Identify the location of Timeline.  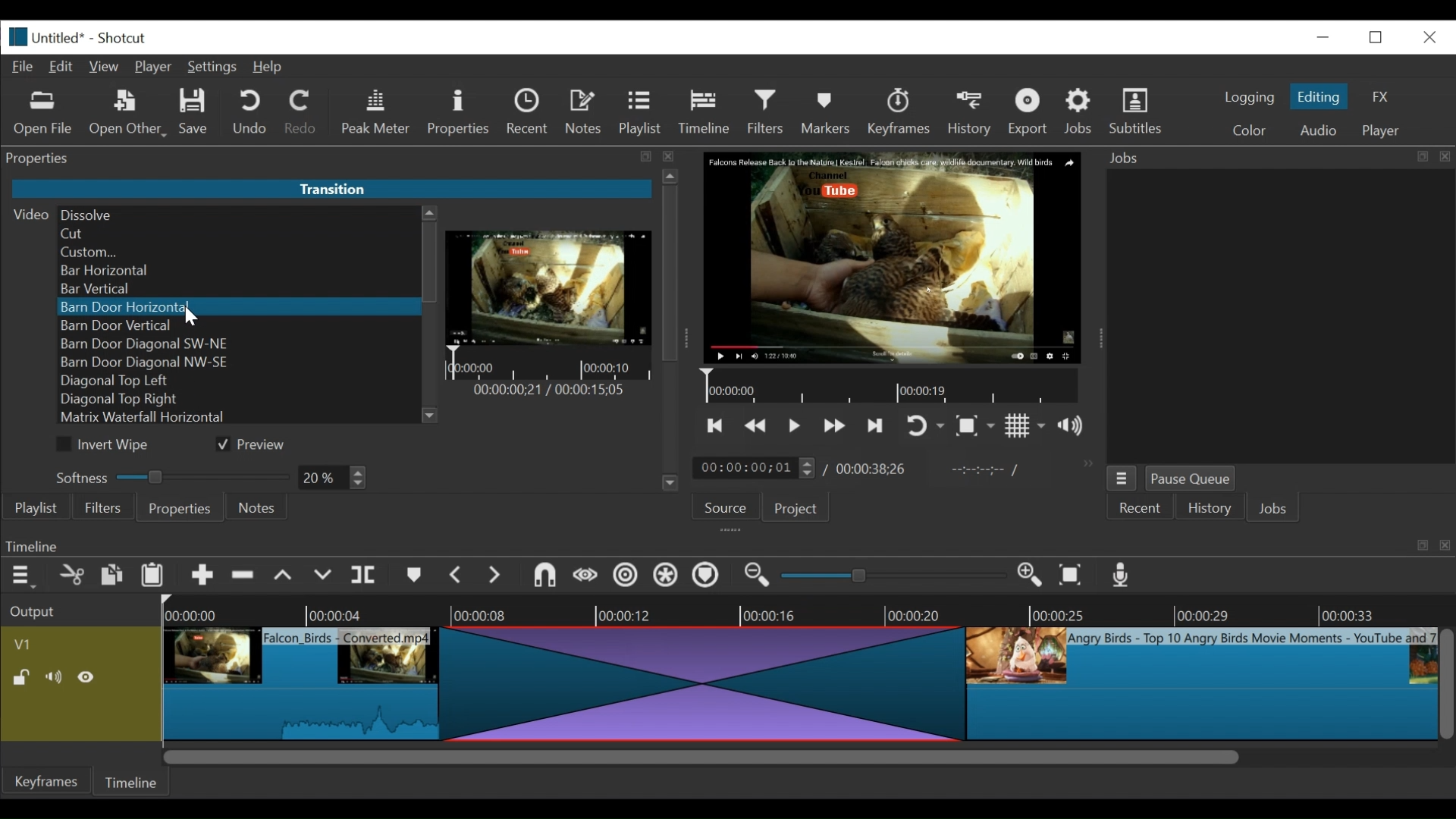
(134, 780).